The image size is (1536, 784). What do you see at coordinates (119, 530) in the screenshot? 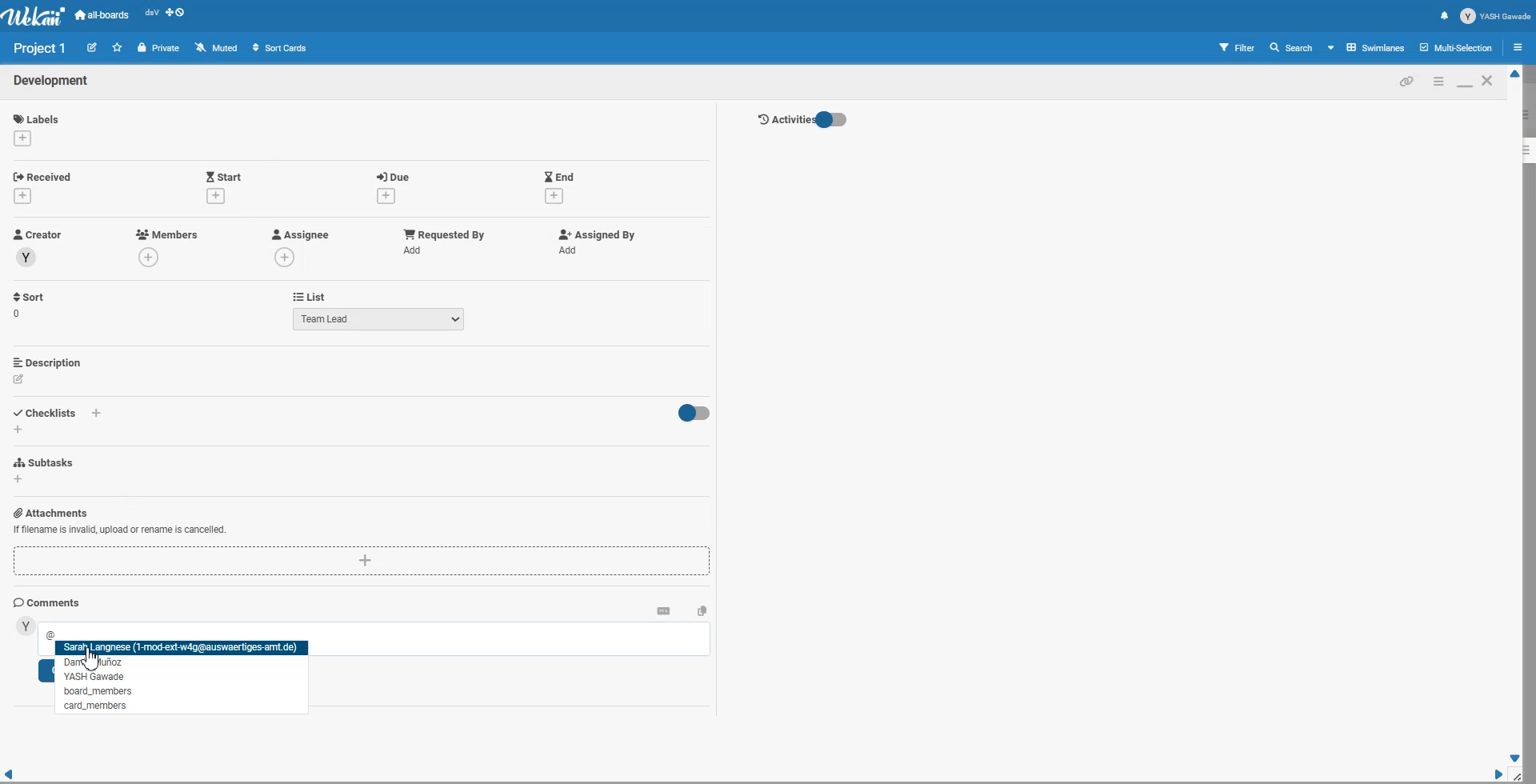
I see `Add Attachments` at bounding box center [119, 530].